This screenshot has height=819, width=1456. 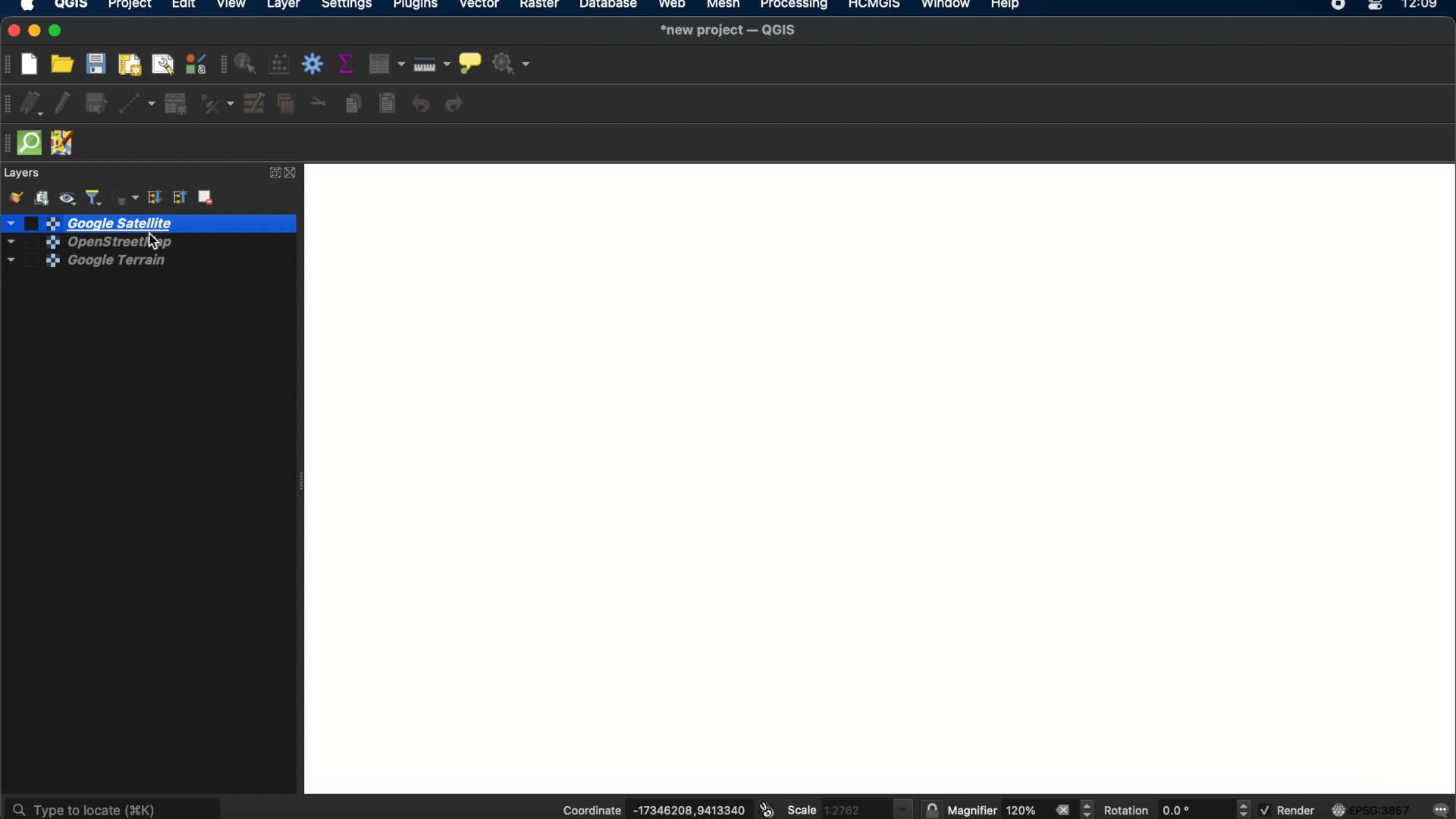 What do you see at coordinates (195, 64) in the screenshot?
I see `style manager` at bounding box center [195, 64].